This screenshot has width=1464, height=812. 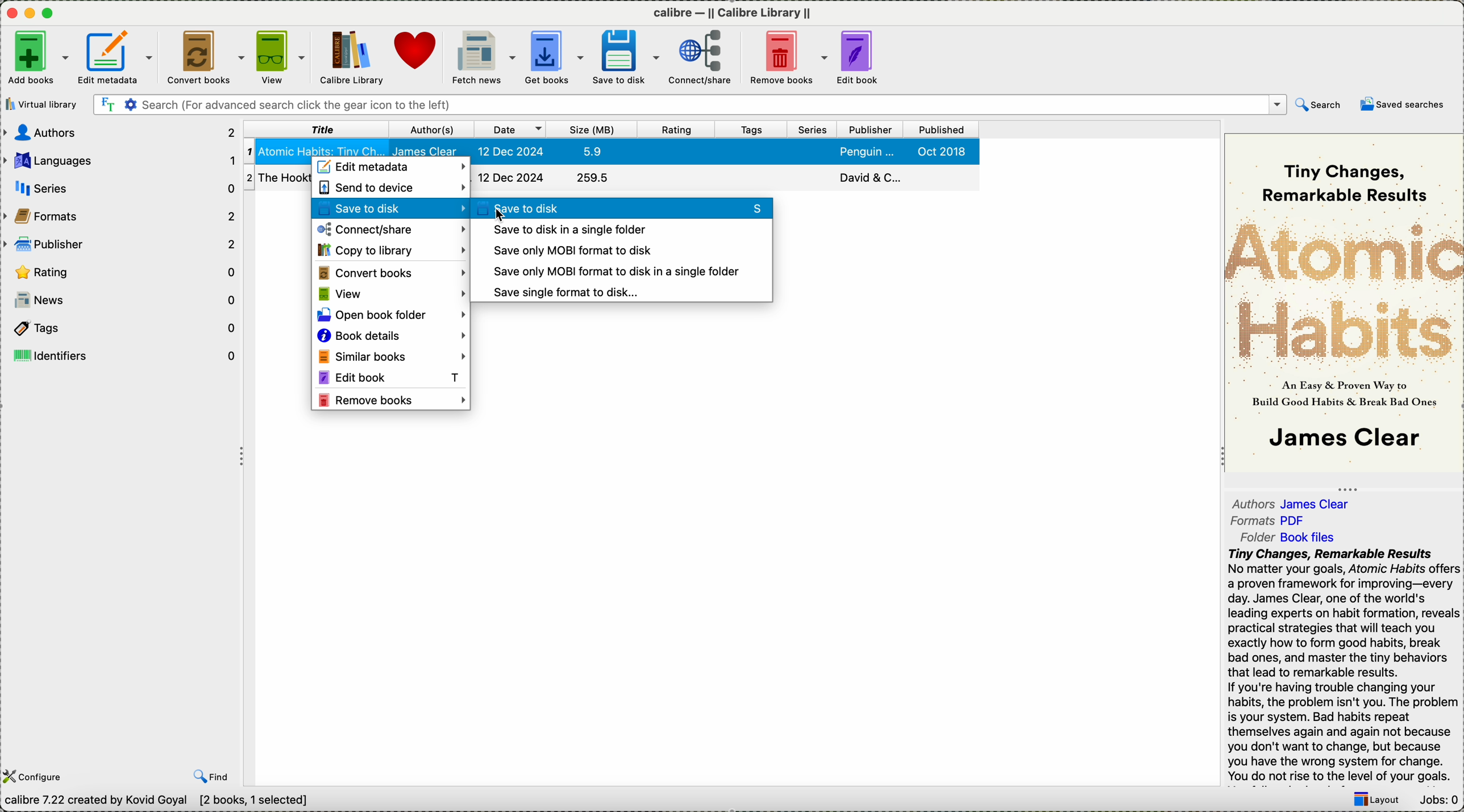 What do you see at coordinates (390, 228) in the screenshot?
I see `connect/share` at bounding box center [390, 228].